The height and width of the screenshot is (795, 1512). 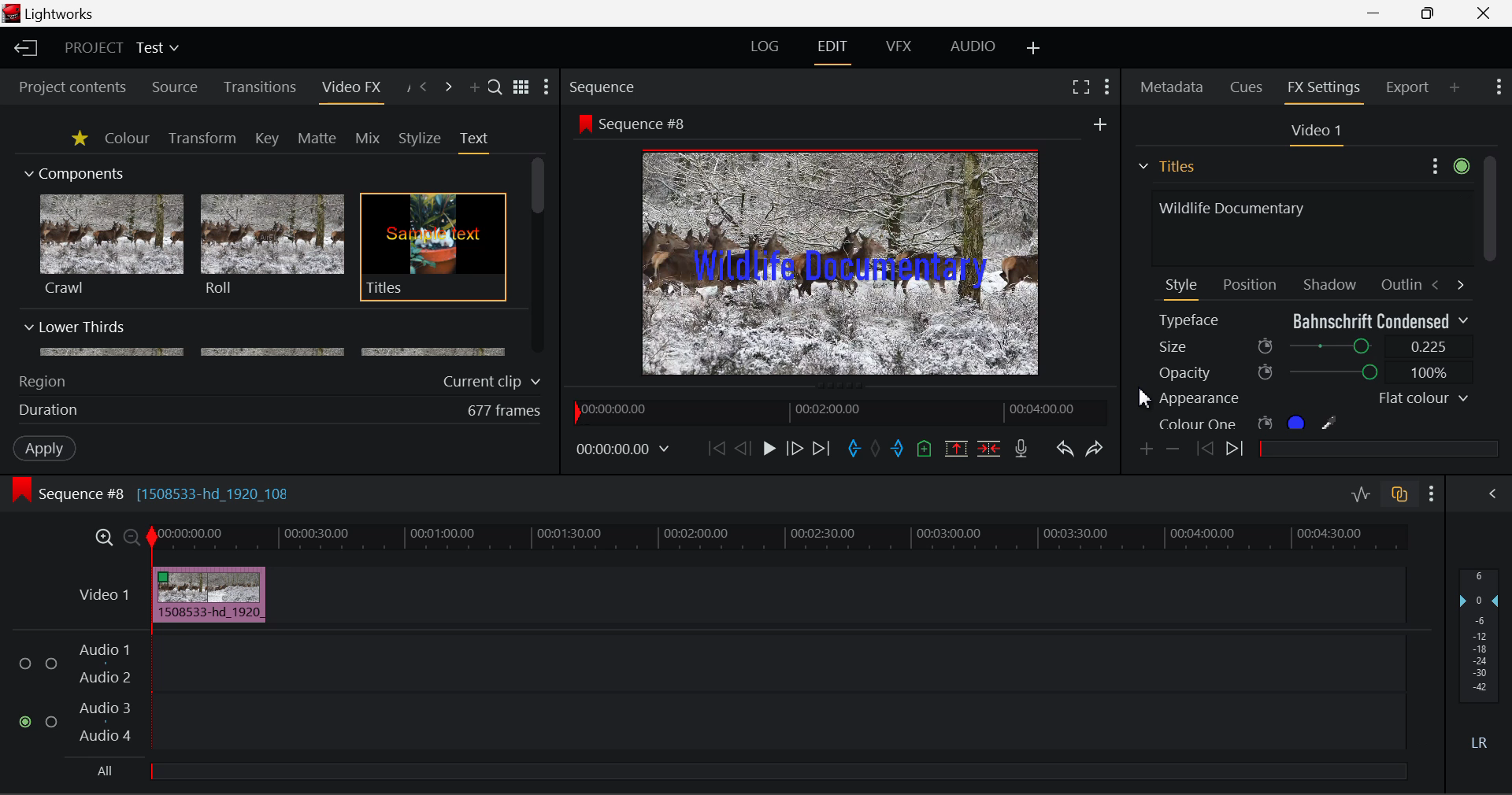 I want to click on Show Settings, so click(x=1432, y=494).